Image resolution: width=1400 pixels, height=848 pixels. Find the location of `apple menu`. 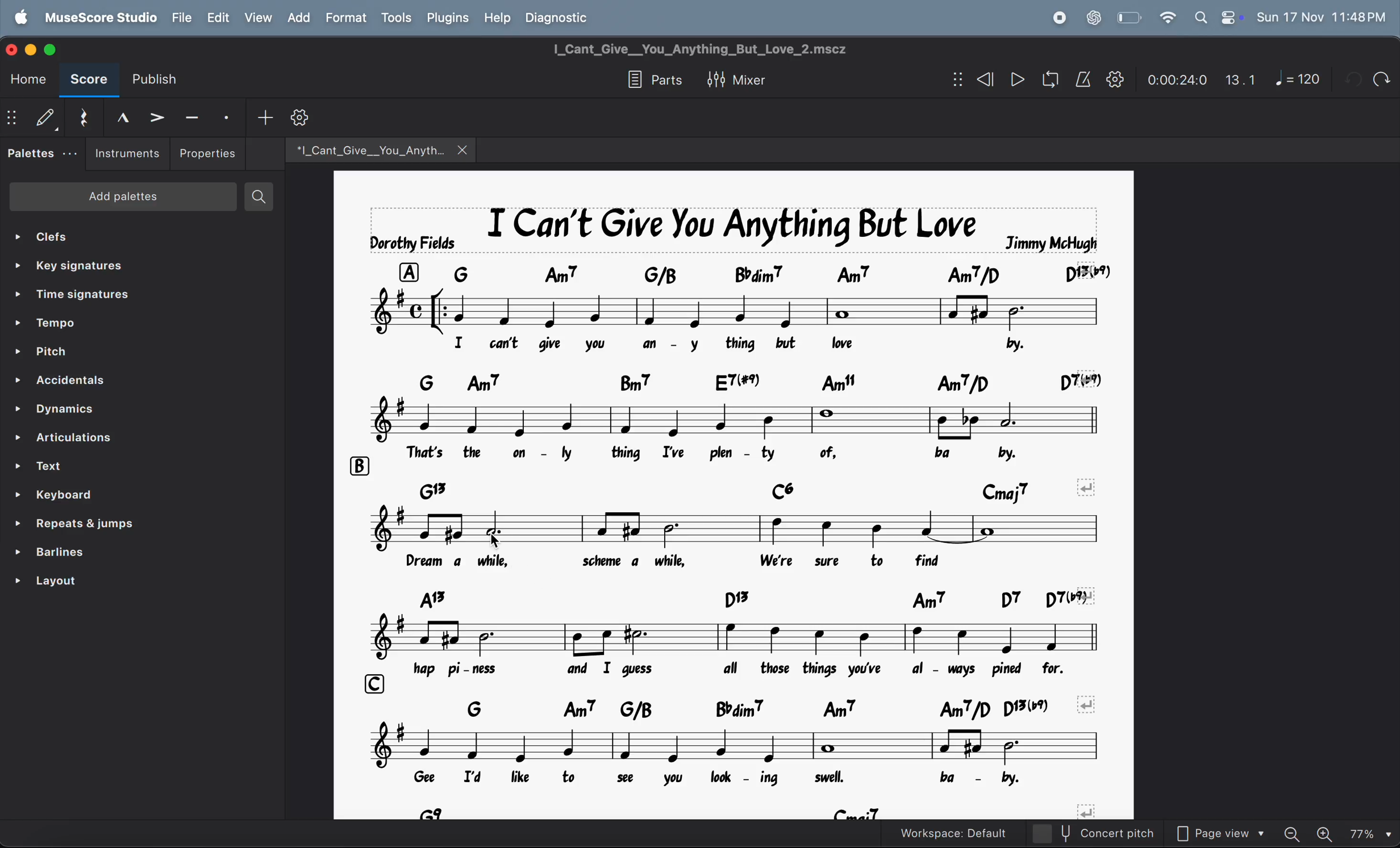

apple menu is located at coordinates (20, 17).